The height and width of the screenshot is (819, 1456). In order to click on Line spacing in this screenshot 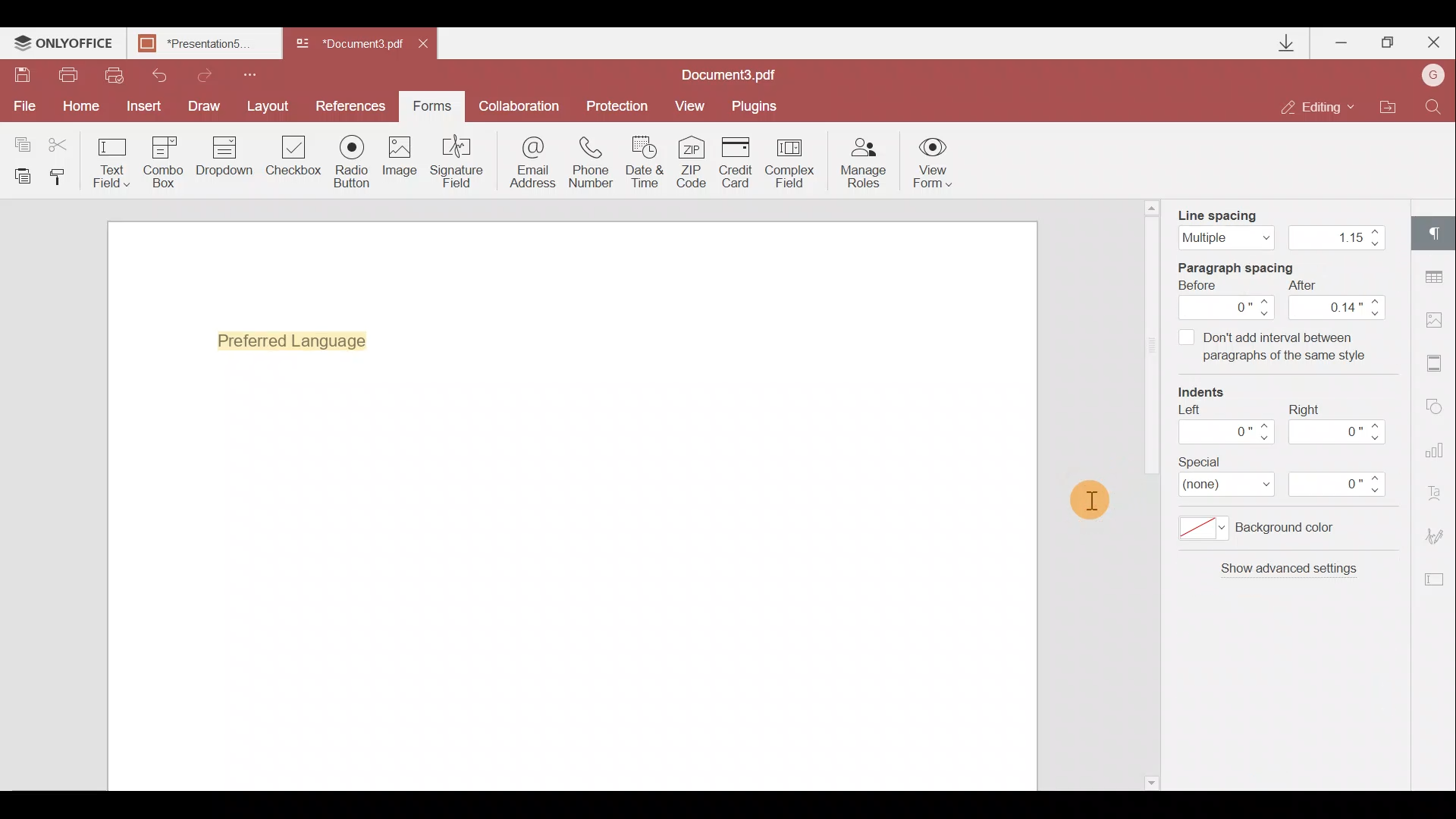, I will do `click(1223, 215)`.